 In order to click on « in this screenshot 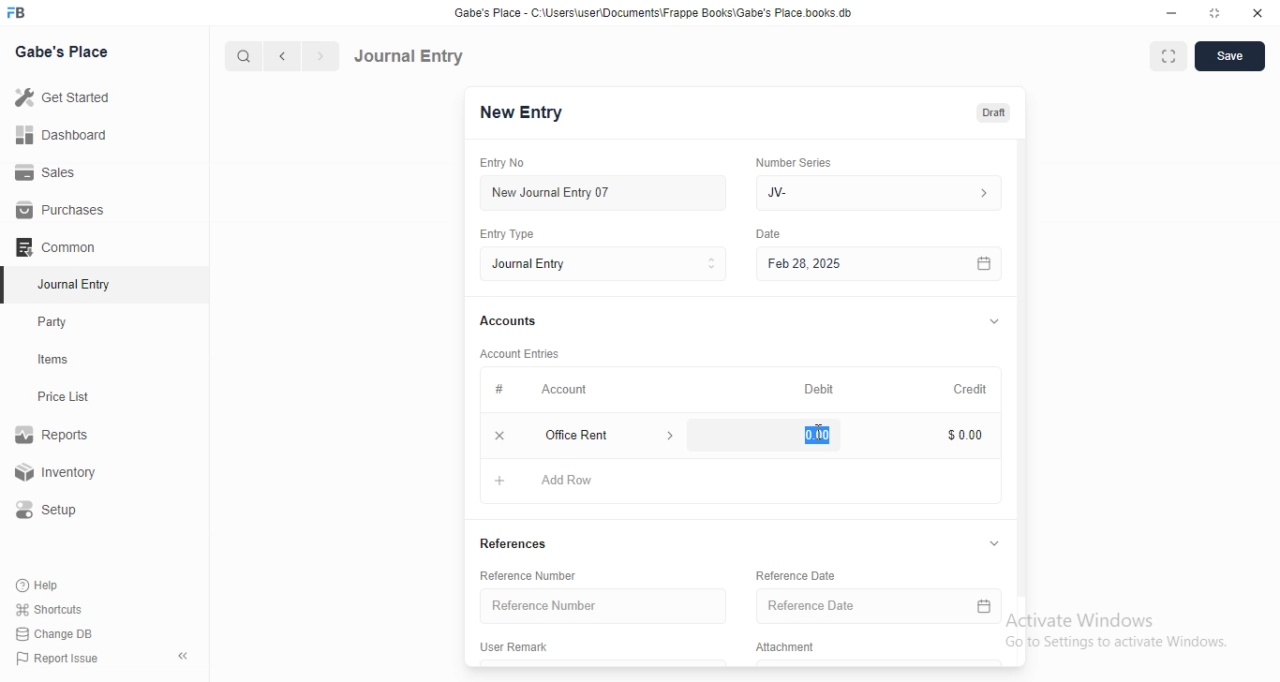, I will do `click(185, 657)`.